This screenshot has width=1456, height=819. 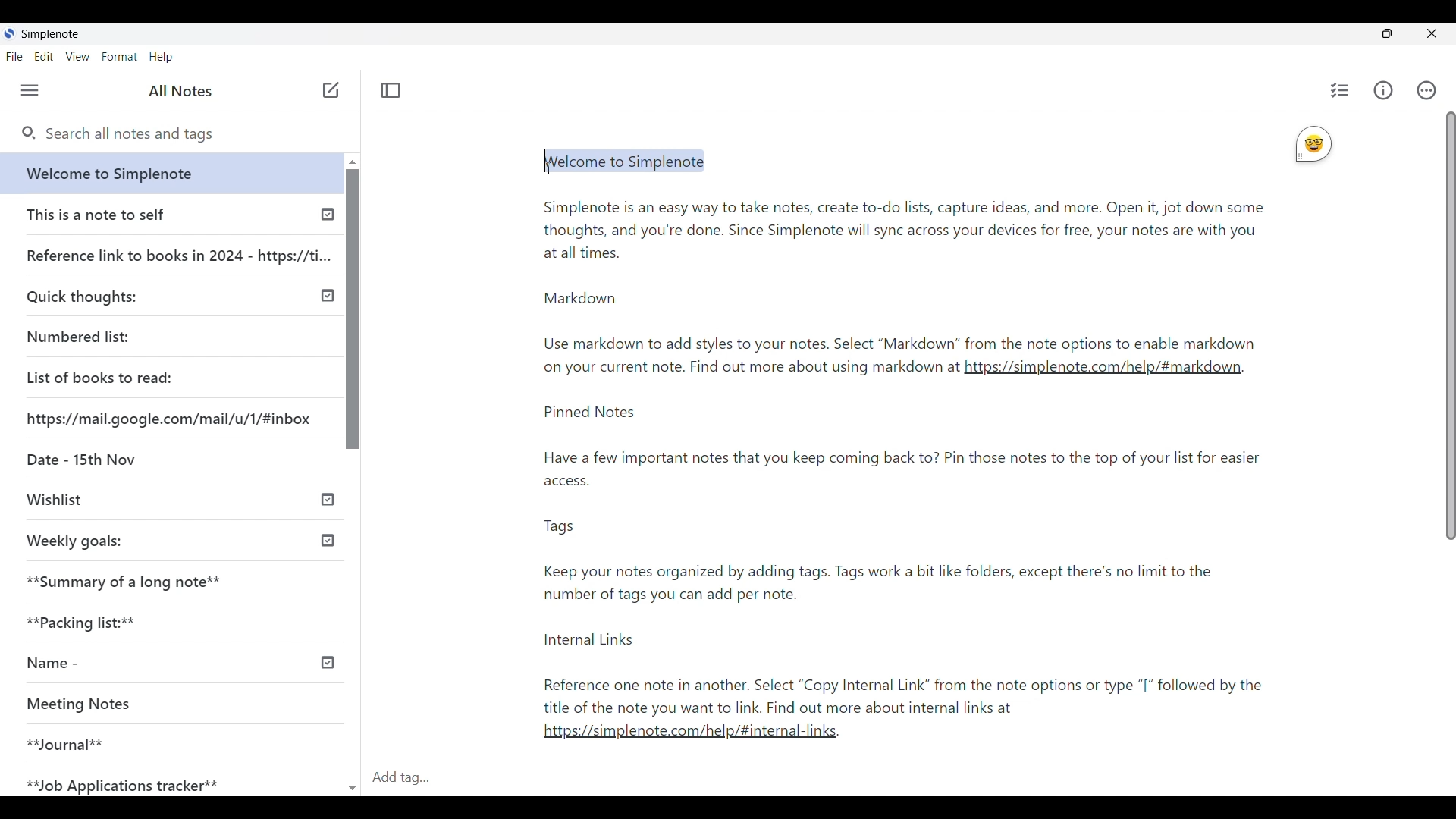 What do you see at coordinates (329, 500) in the screenshot?
I see `Check icon indicates published notes` at bounding box center [329, 500].